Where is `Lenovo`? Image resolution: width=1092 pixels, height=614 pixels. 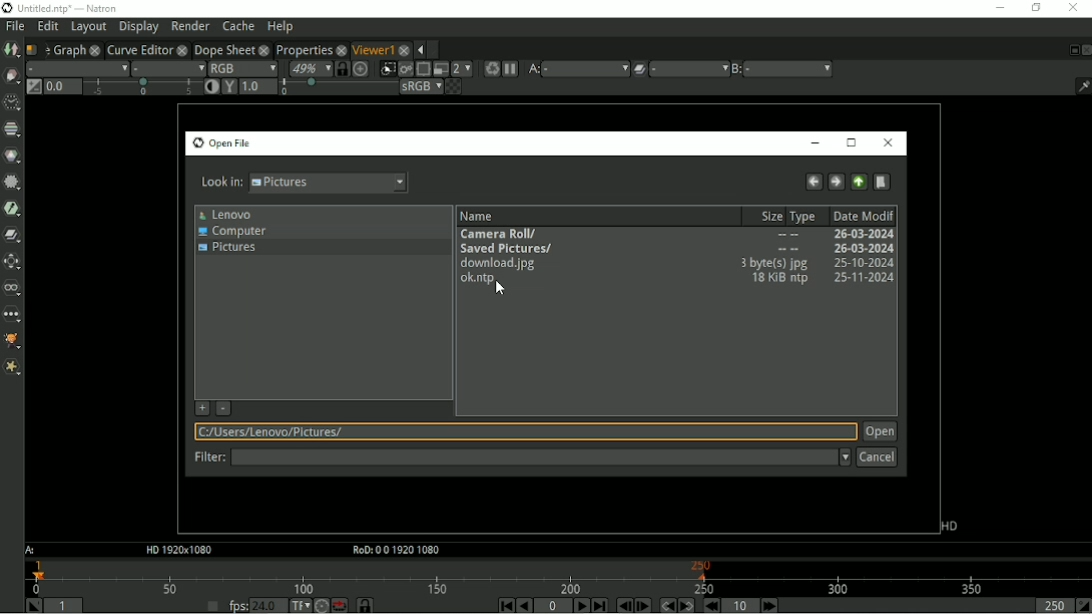
Lenovo is located at coordinates (224, 215).